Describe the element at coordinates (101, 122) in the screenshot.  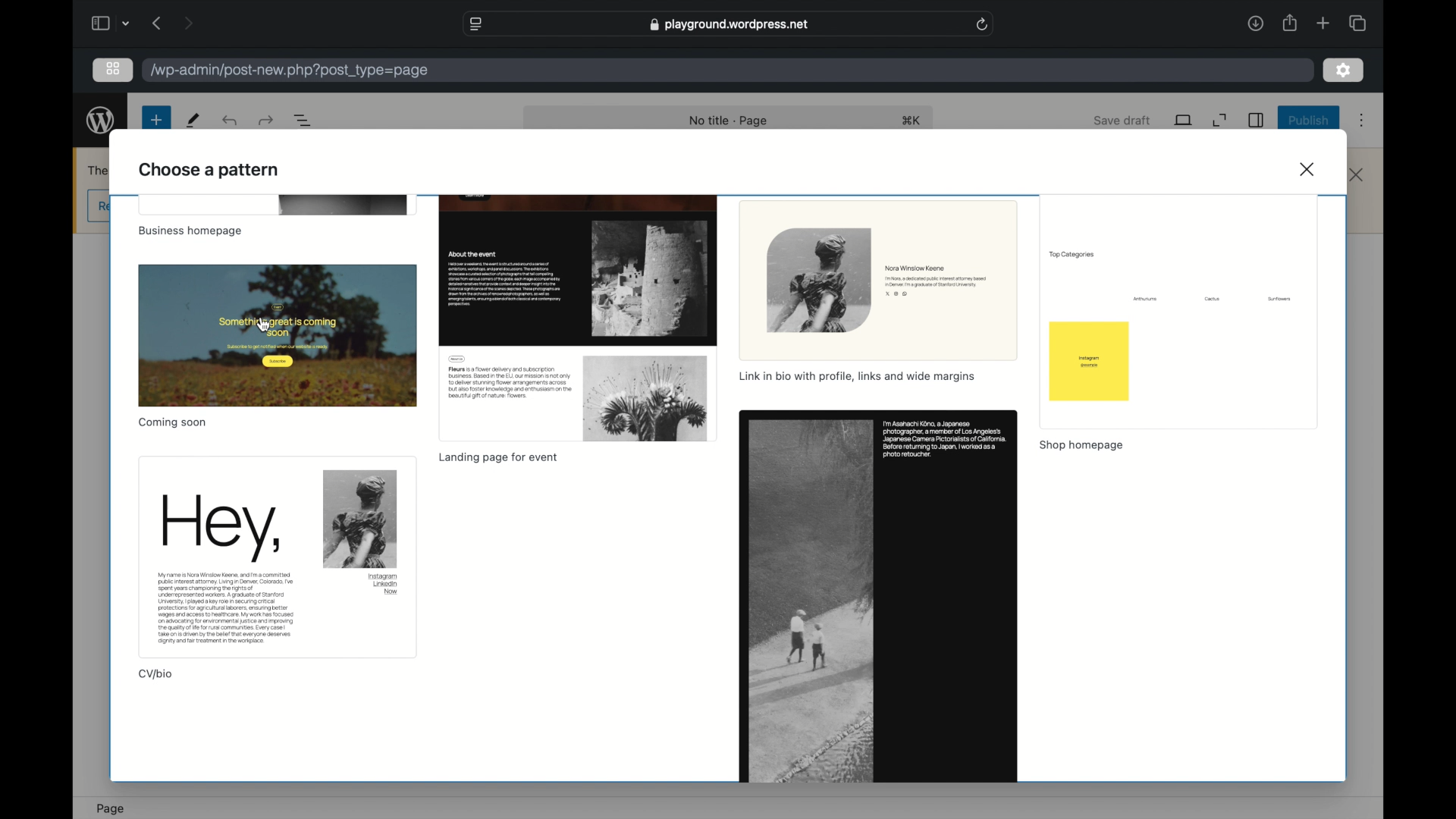
I see `wordpress` at that location.